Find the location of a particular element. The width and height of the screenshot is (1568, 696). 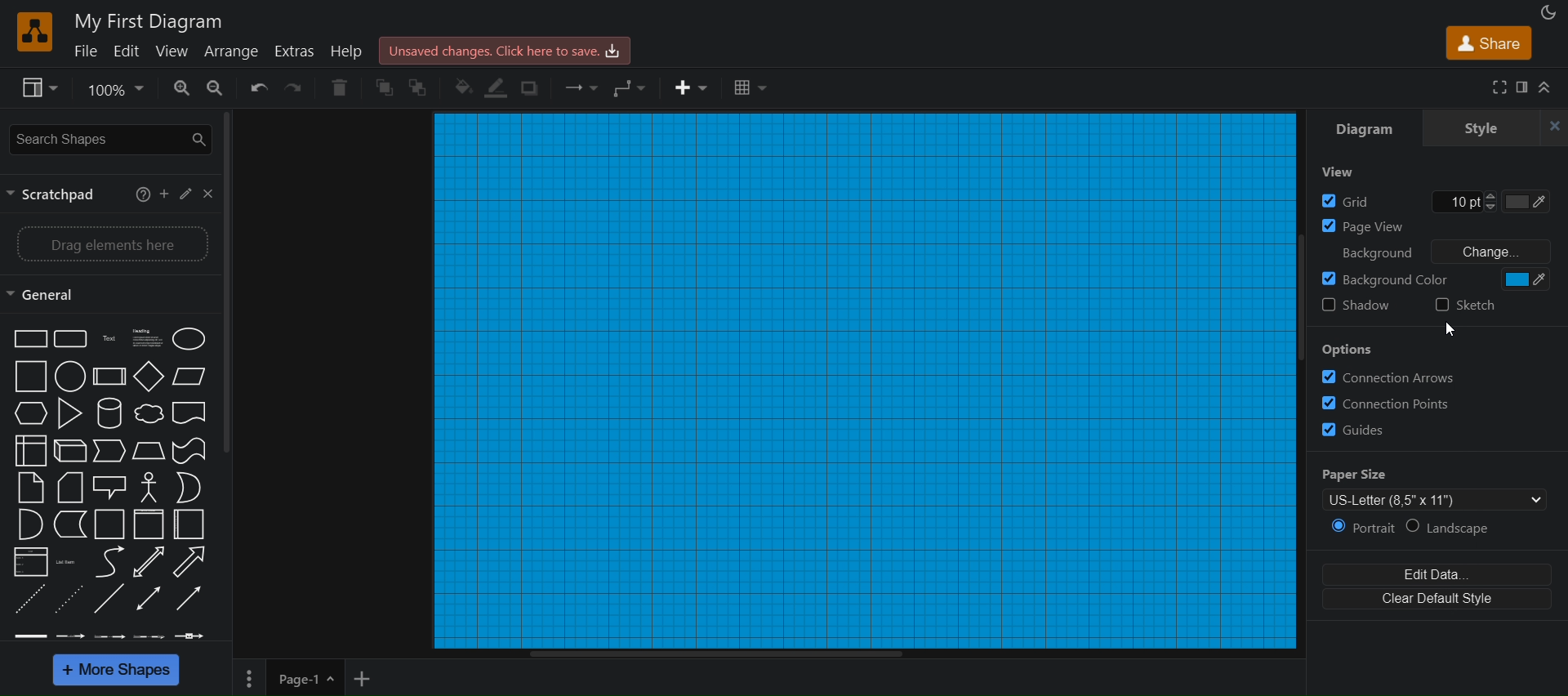

add is located at coordinates (166, 196).